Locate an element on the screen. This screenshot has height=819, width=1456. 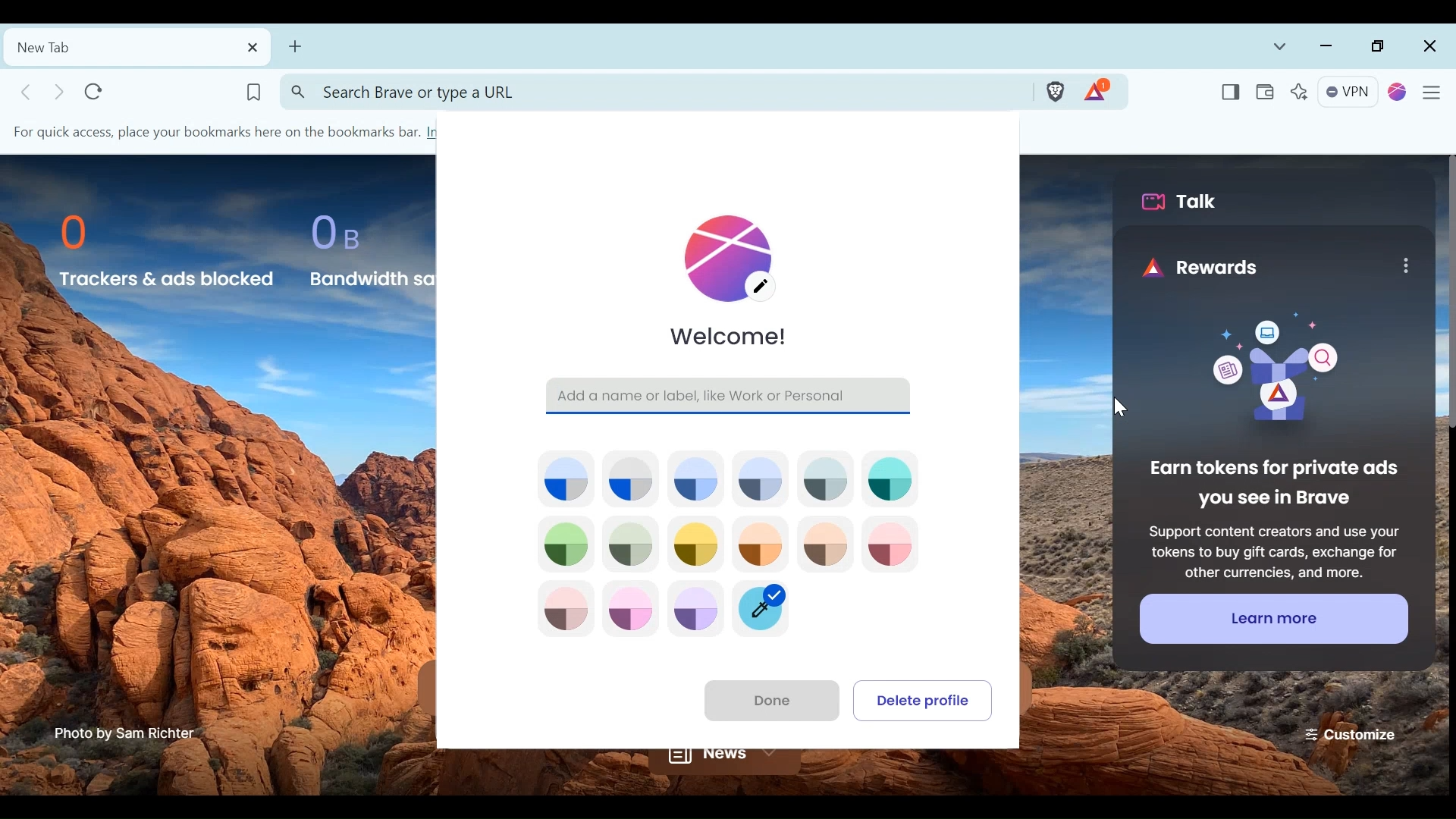
Theme is located at coordinates (763, 544).